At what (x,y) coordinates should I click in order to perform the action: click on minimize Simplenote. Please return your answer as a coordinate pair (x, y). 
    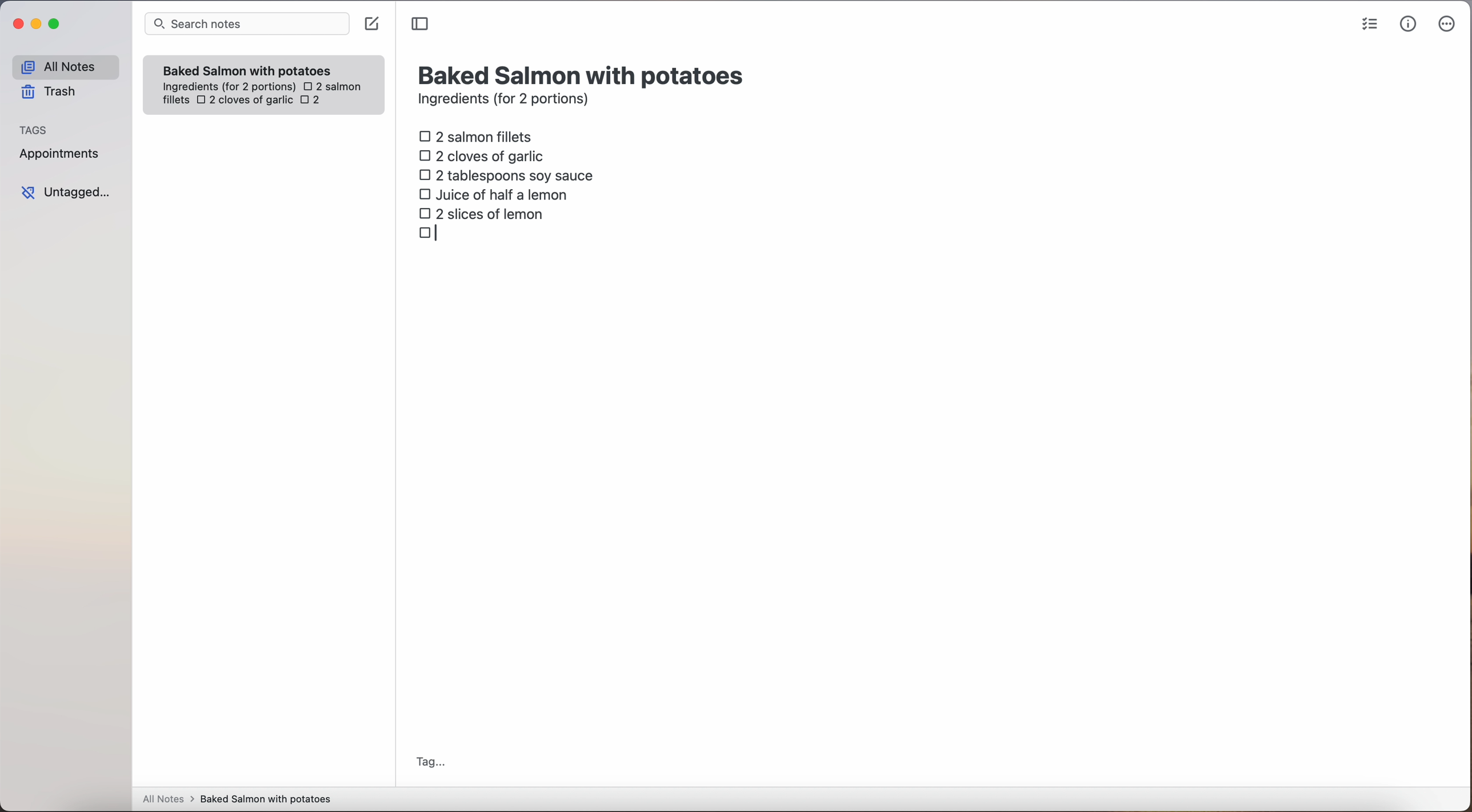
    Looking at the image, I should click on (36, 25).